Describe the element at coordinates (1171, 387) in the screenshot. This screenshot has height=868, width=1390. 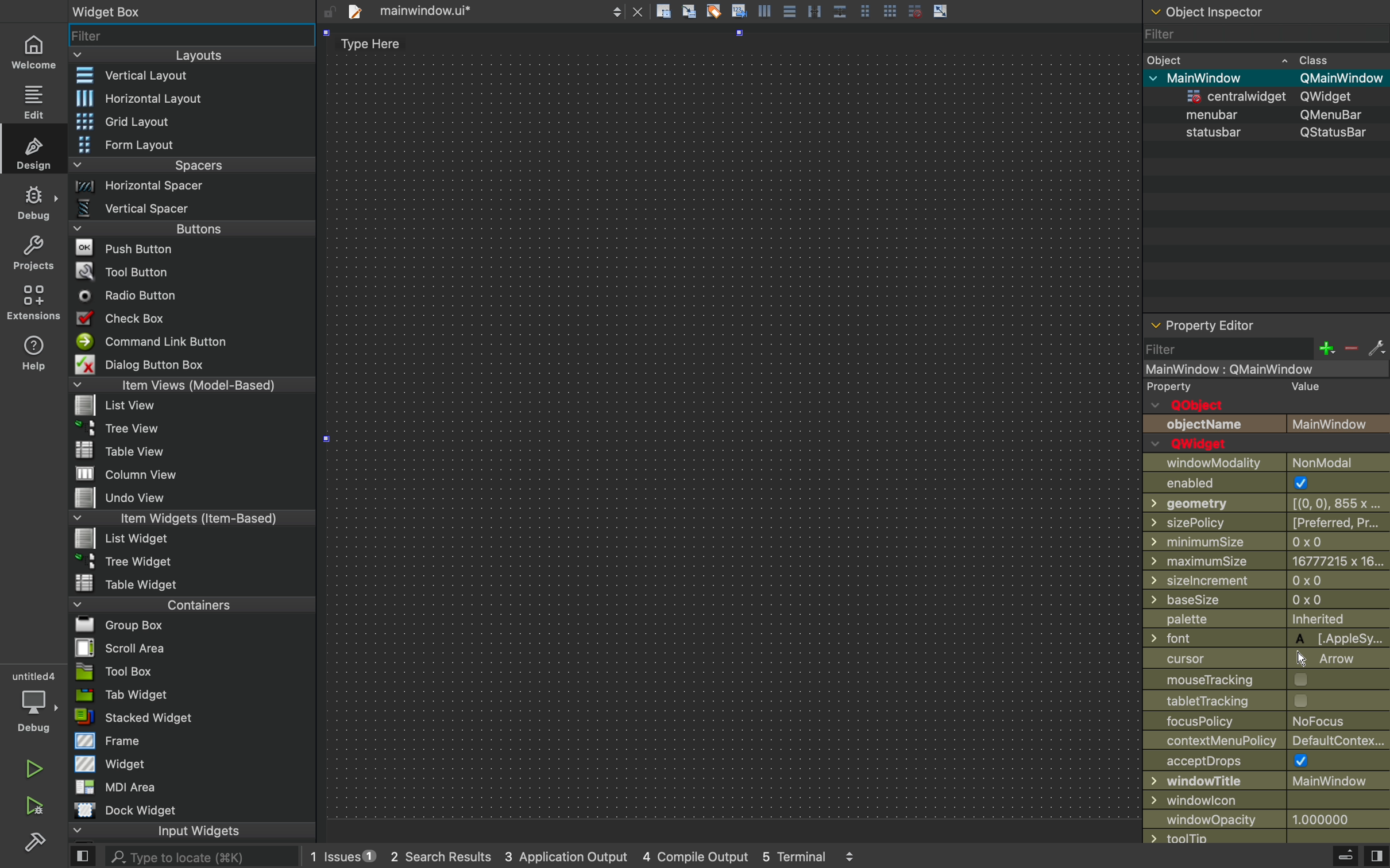
I see `property` at that location.